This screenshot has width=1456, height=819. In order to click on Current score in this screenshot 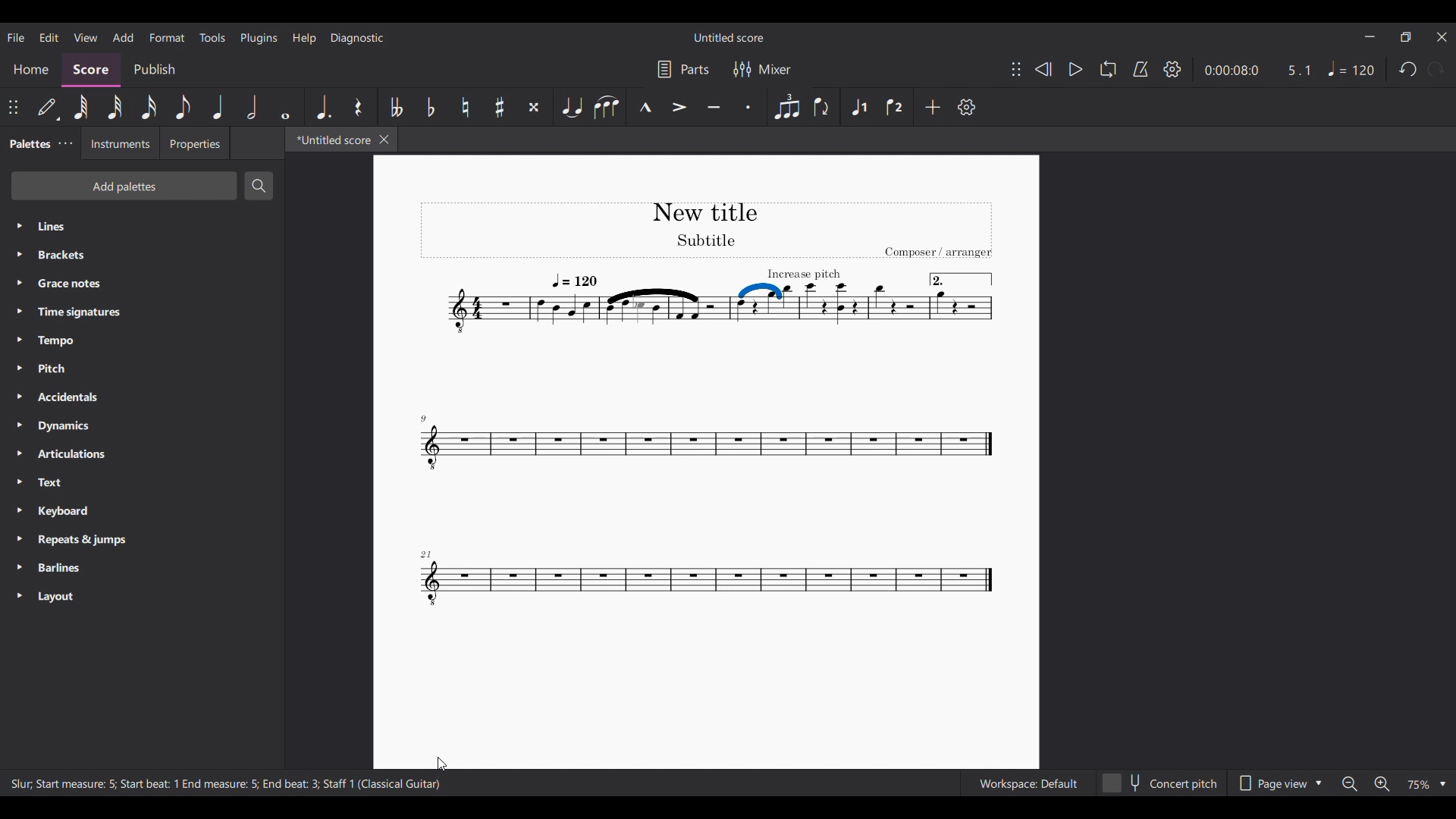, I will do `click(707, 517)`.